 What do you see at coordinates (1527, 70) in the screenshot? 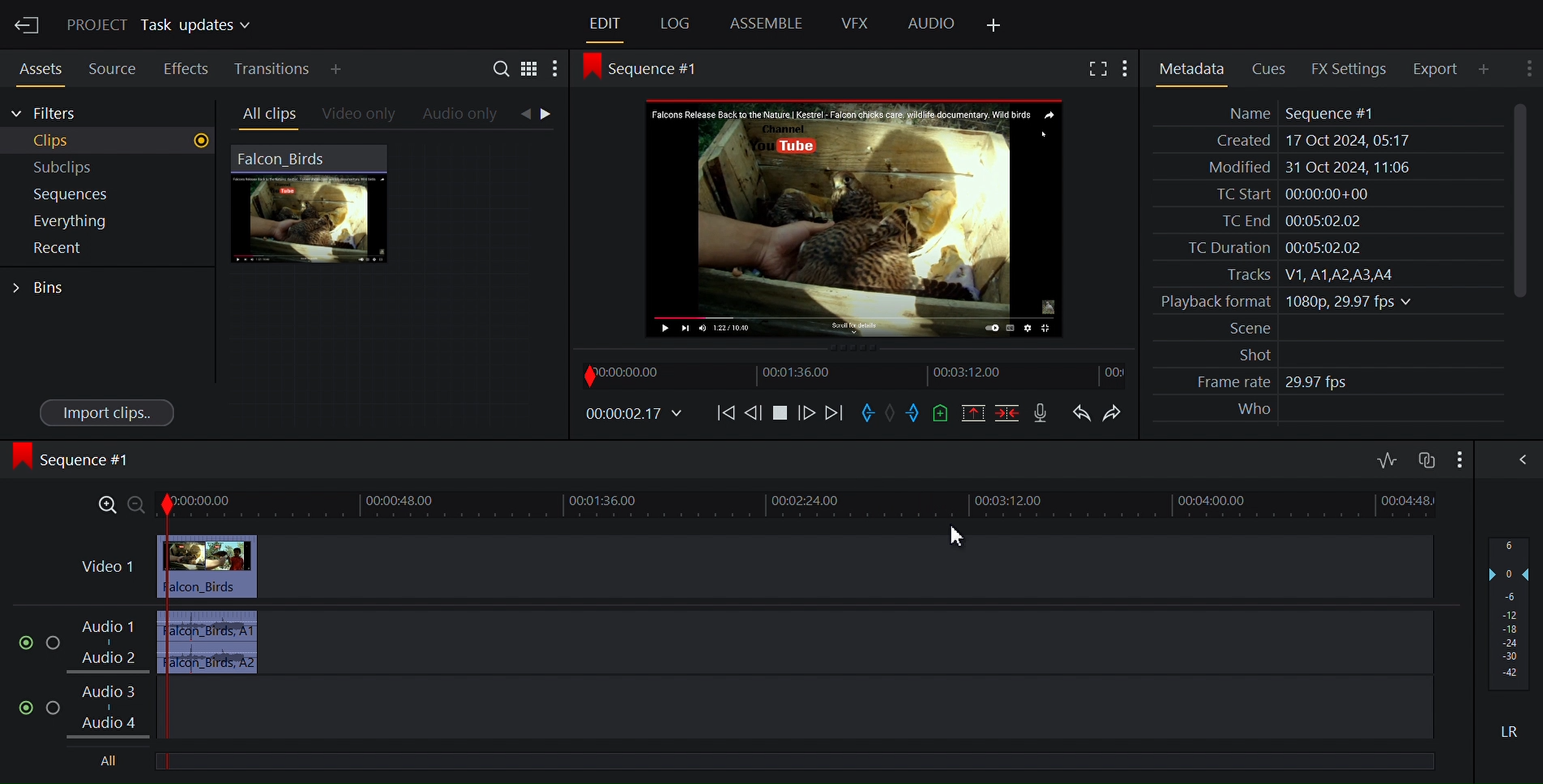
I see `Show settings menu` at bounding box center [1527, 70].